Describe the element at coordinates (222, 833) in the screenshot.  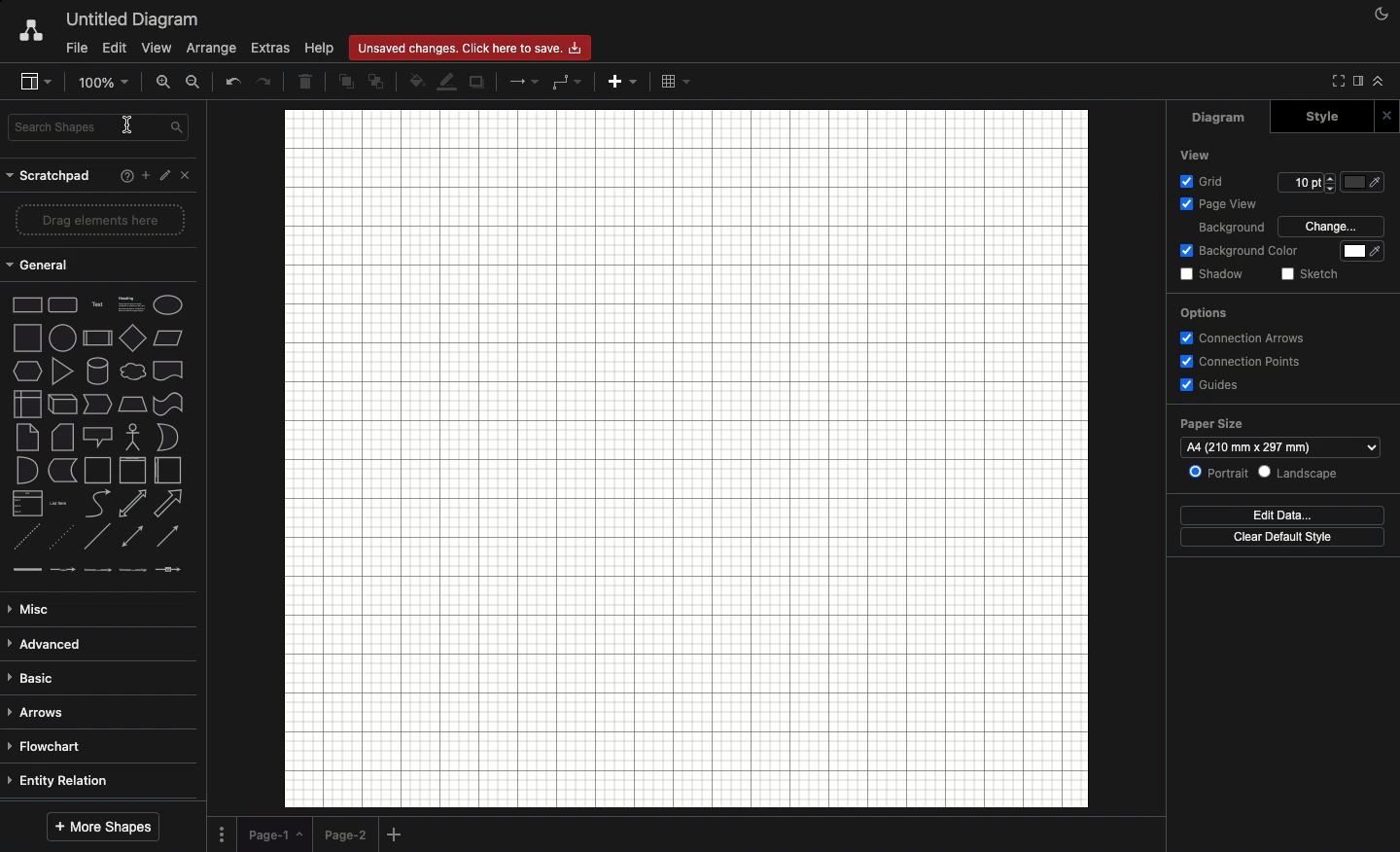
I see `Options` at that location.